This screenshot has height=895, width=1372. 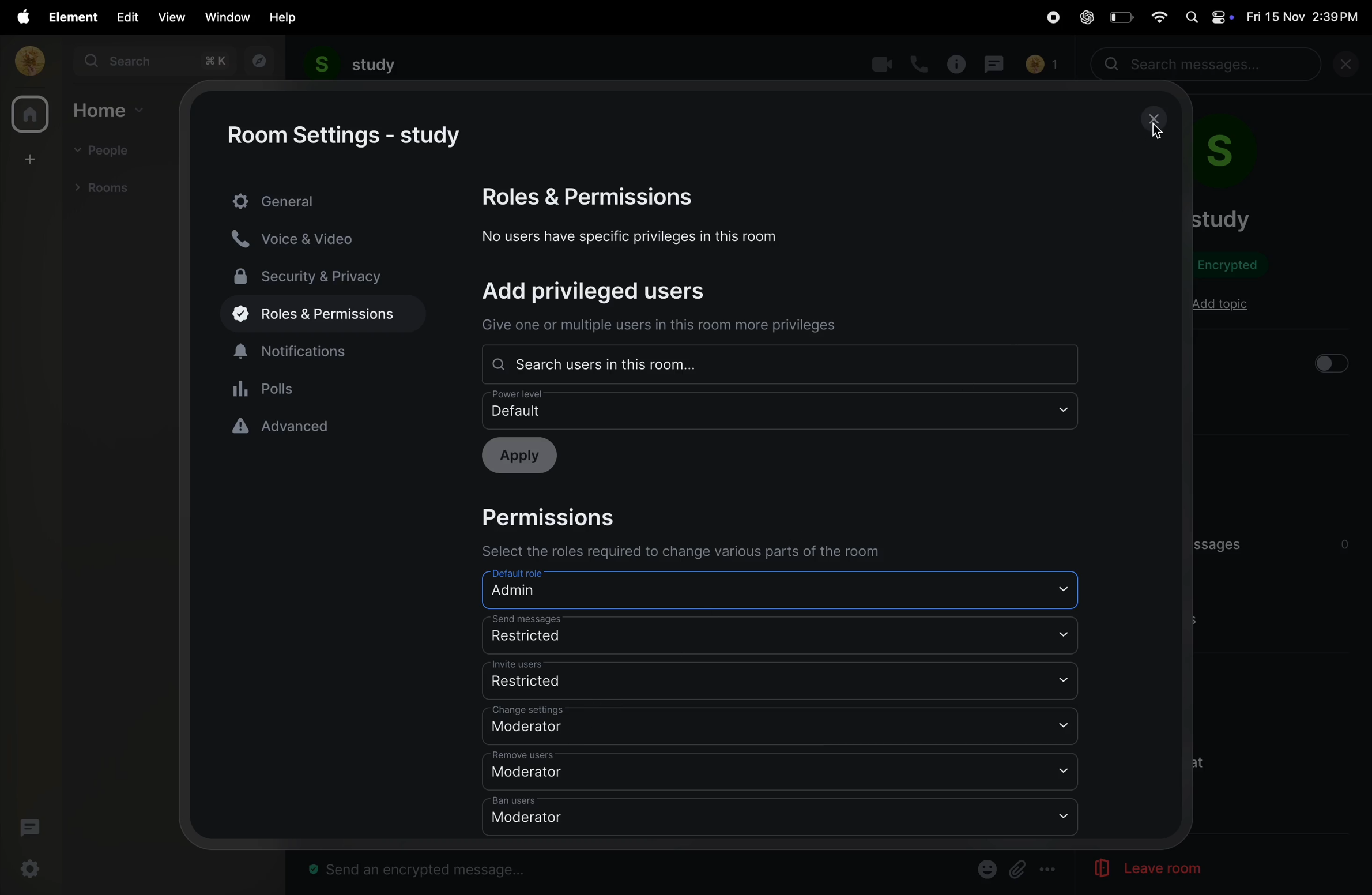 What do you see at coordinates (107, 152) in the screenshot?
I see `people` at bounding box center [107, 152].